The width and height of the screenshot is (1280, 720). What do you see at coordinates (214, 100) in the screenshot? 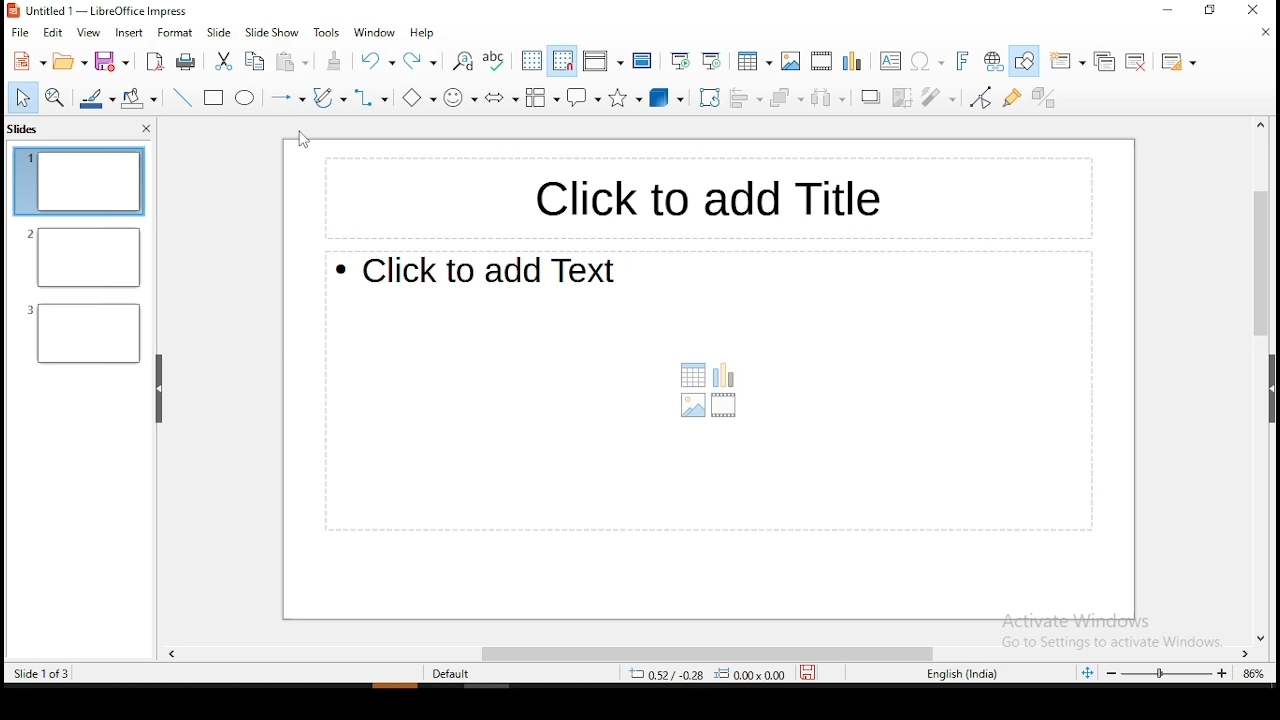
I see `` at bounding box center [214, 100].